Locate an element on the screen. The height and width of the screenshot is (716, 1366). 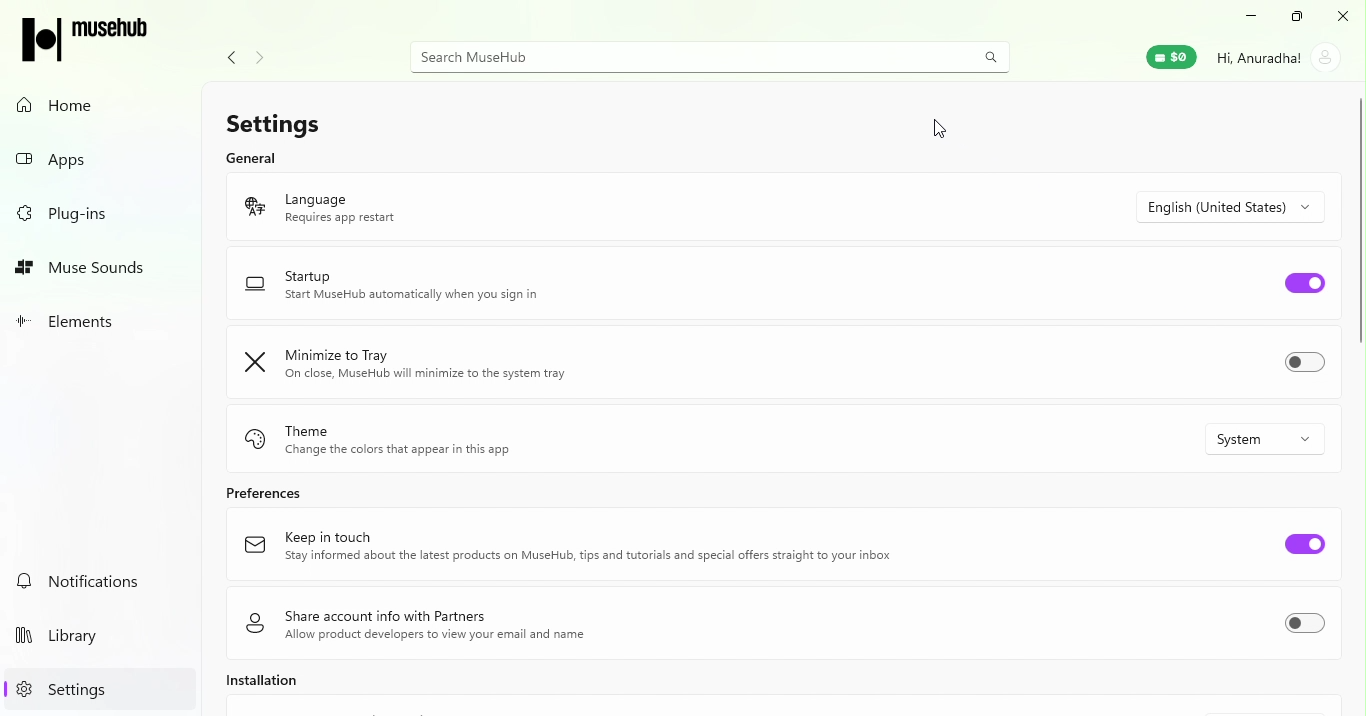
Icon is located at coordinates (106, 36).